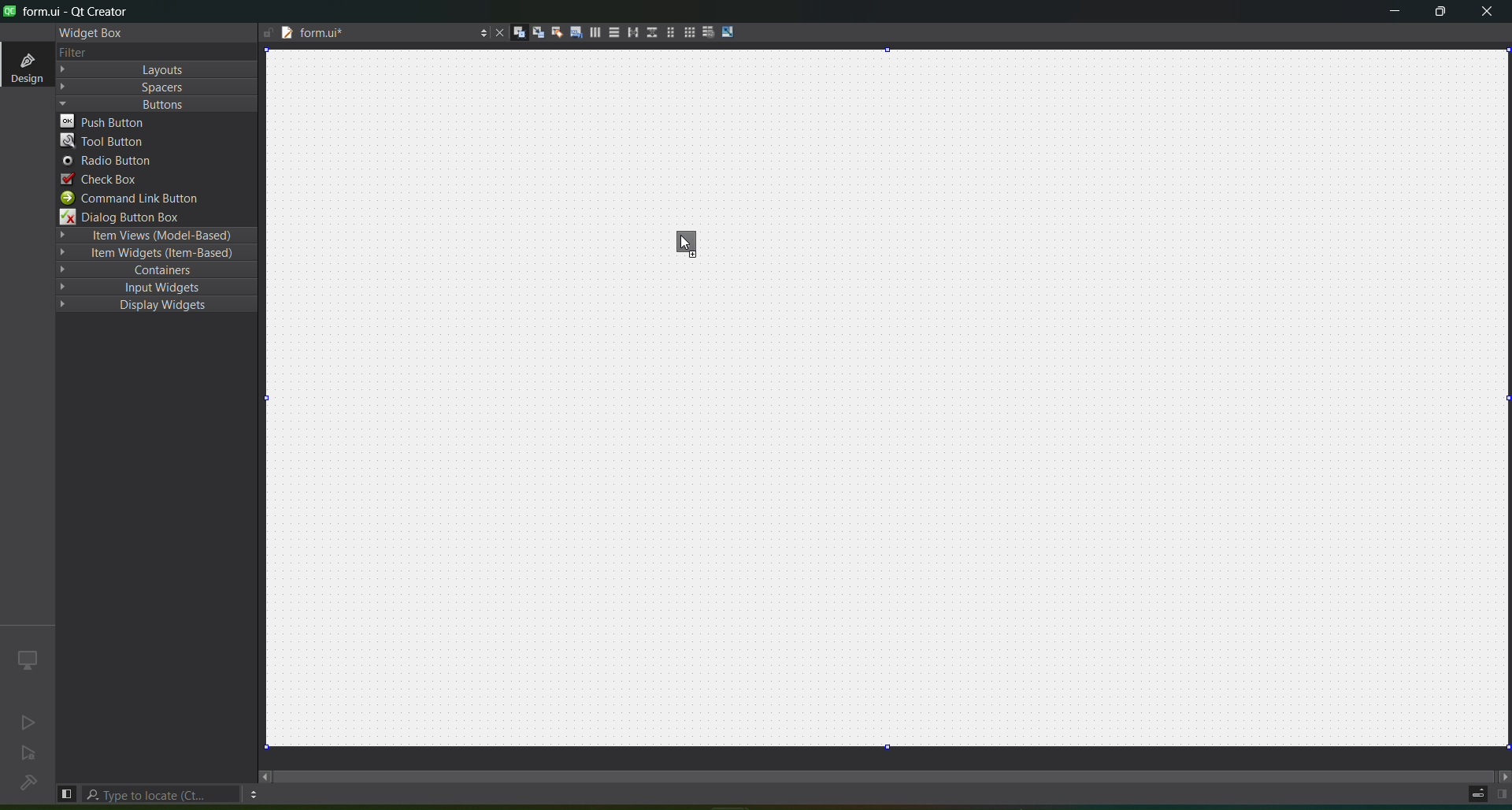  Describe the element at coordinates (556, 31) in the screenshot. I see `edit buddies` at that location.